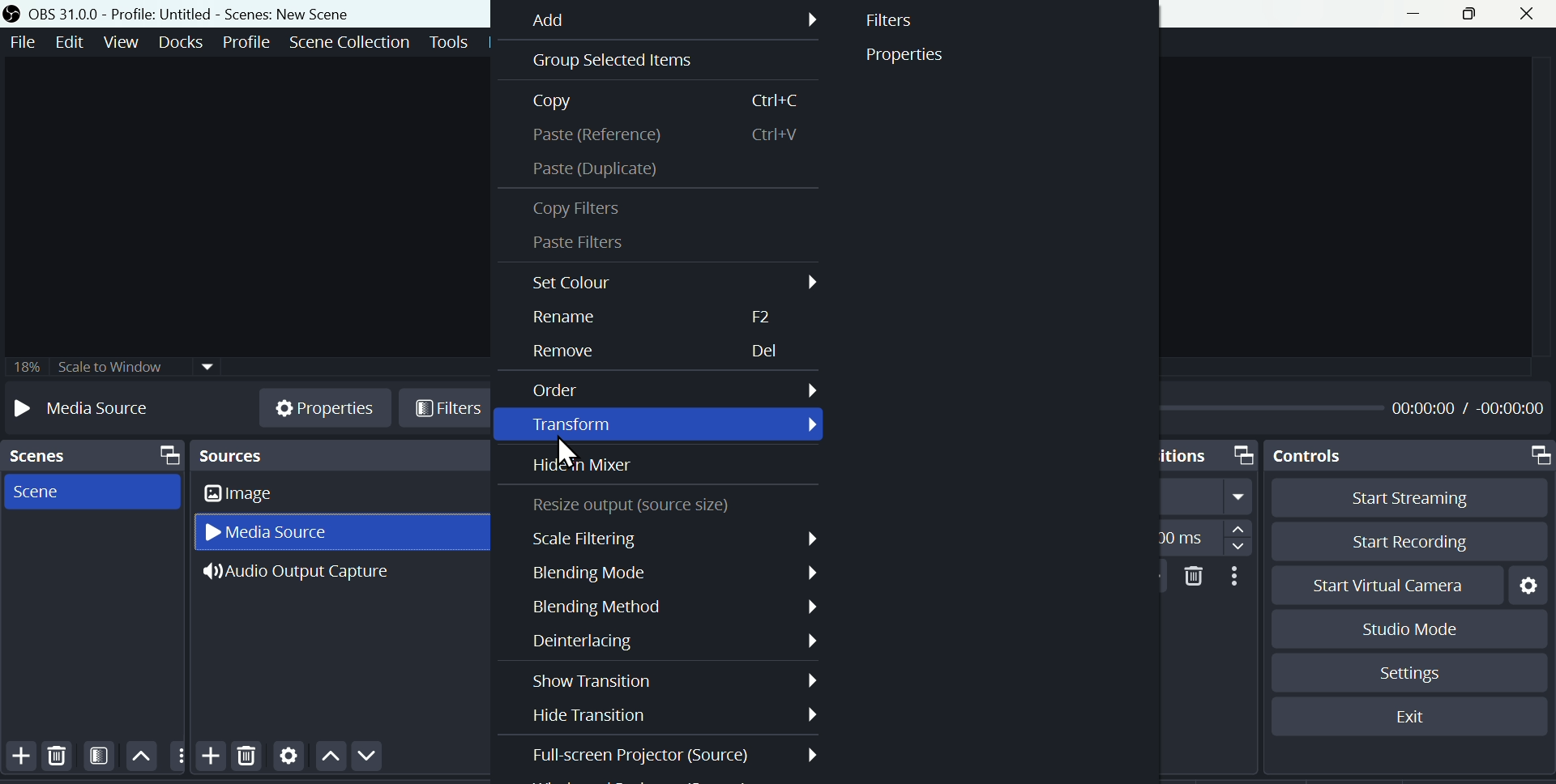 The height and width of the screenshot is (784, 1556). I want to click on Hyde transition, so click(669, 717).